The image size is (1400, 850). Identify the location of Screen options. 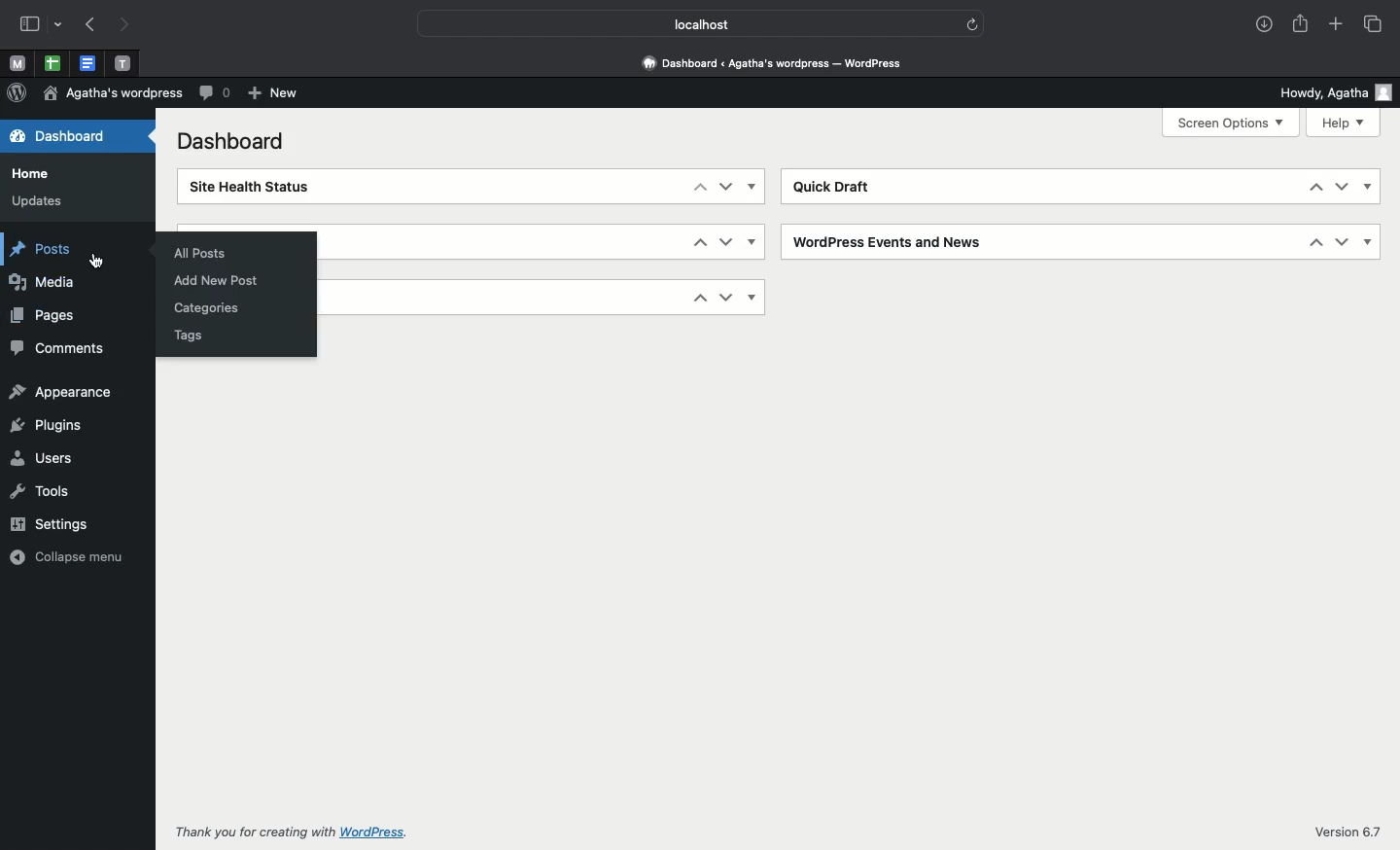
(1230, 123).